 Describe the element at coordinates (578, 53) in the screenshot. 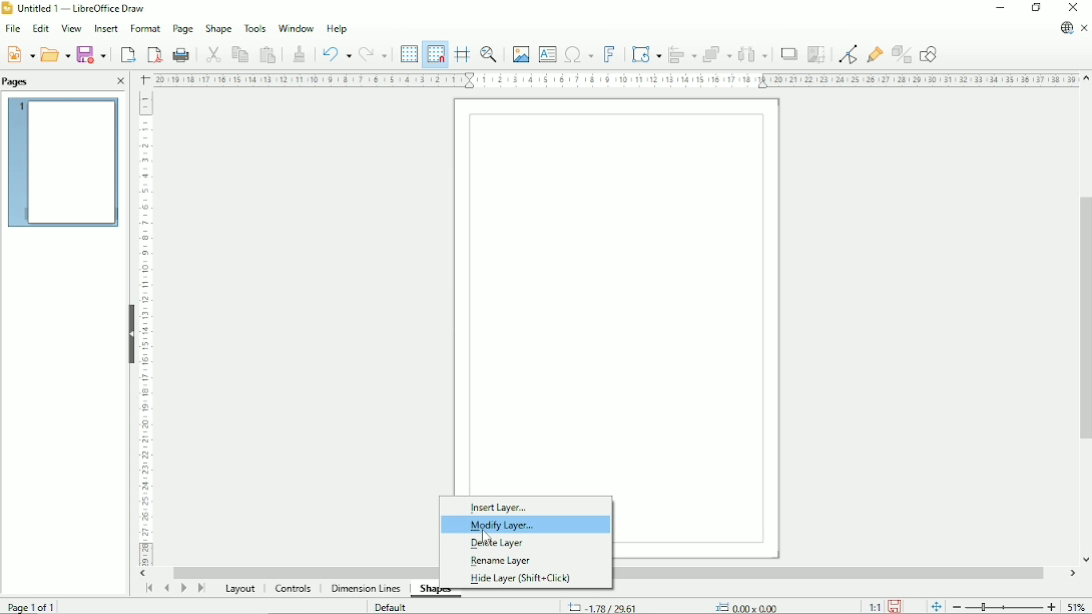

I see `Insert special characters` at that location.